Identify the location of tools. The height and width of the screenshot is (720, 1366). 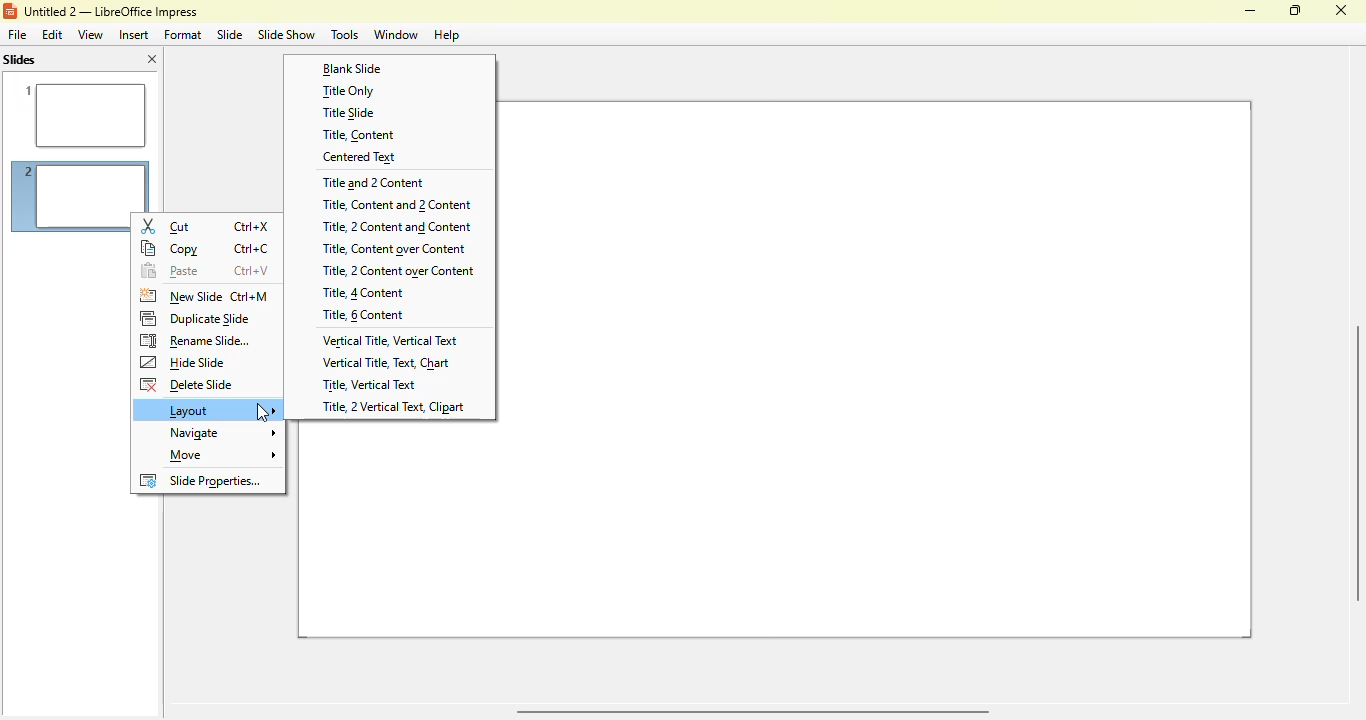
(343, 34).